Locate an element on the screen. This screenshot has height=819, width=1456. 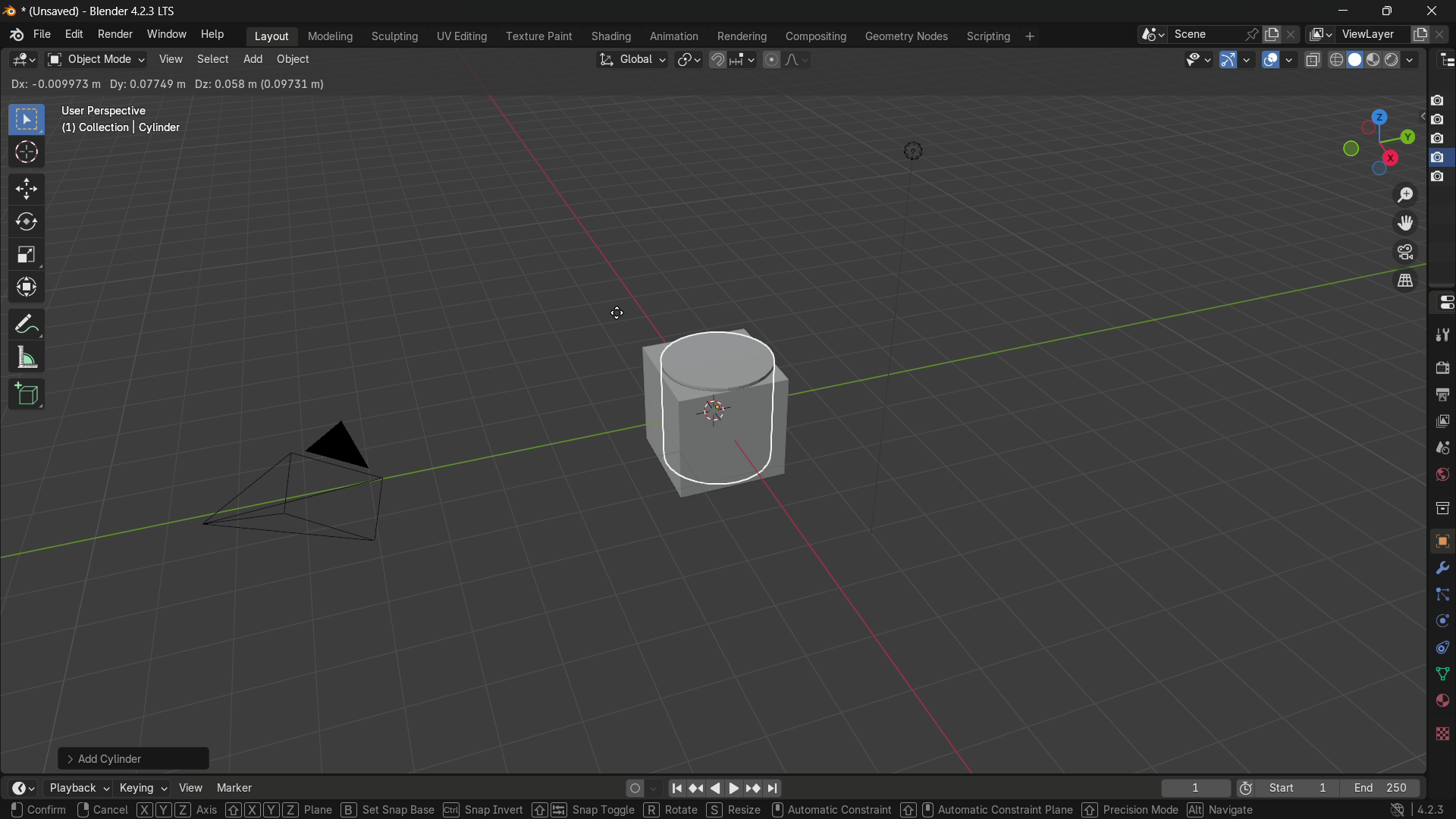
object menu is located at coordinates (295, 60).